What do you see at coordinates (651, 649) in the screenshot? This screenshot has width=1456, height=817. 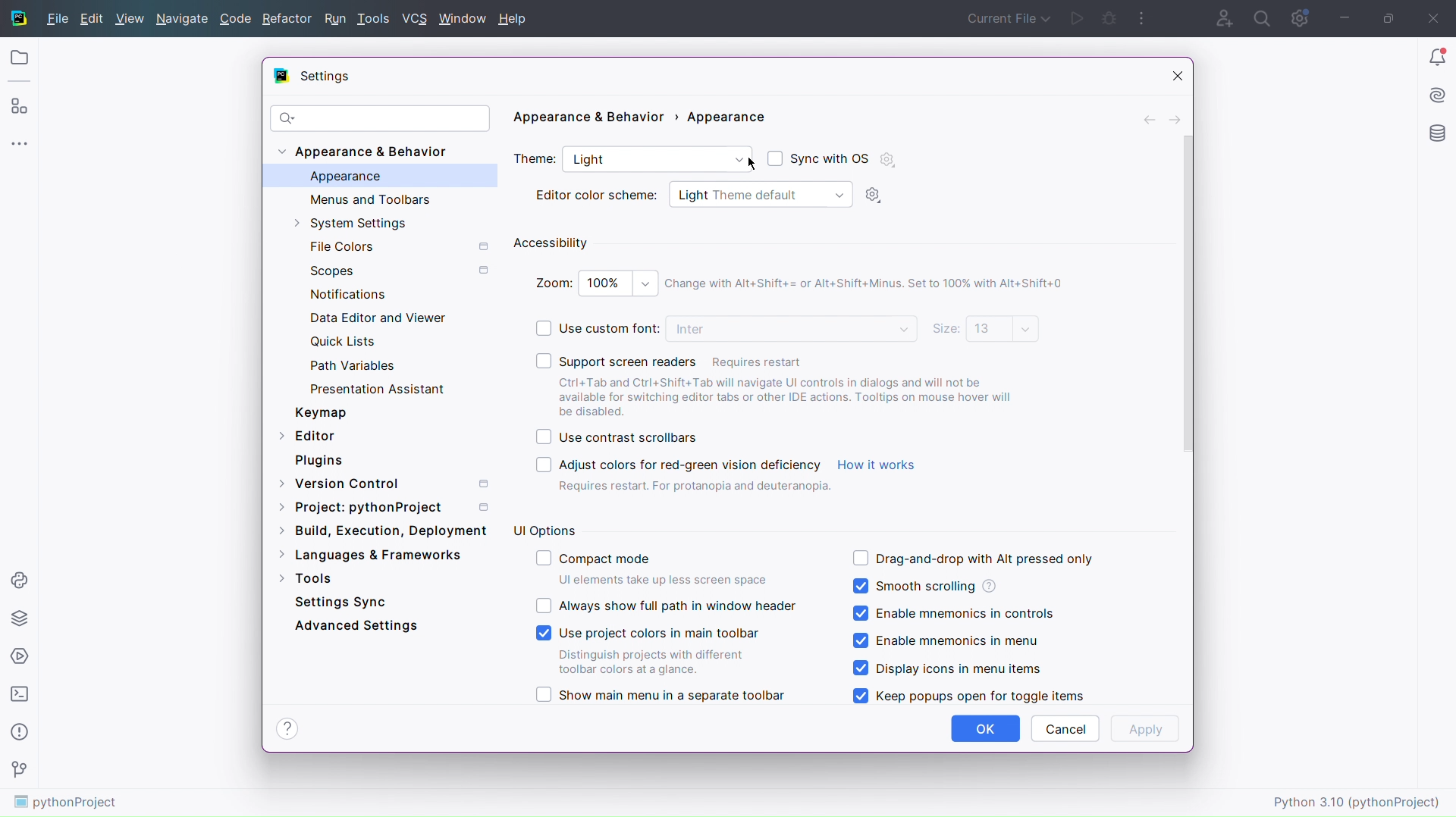 I see `Use project colors in main toolbar` at bounding box center [651, 649].